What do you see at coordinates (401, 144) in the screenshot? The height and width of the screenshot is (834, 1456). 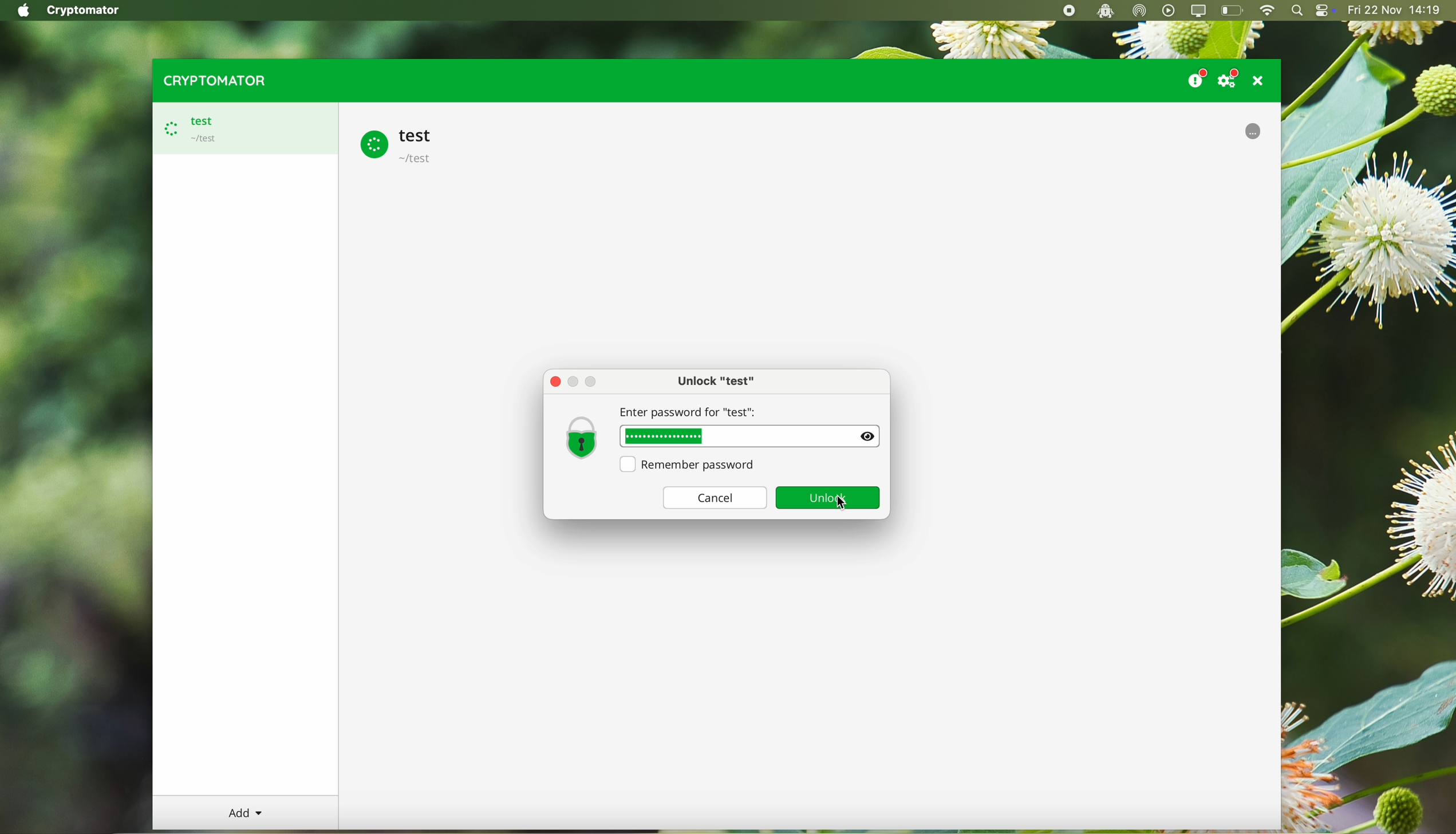 I see `test` at bounding box center [401, 144].